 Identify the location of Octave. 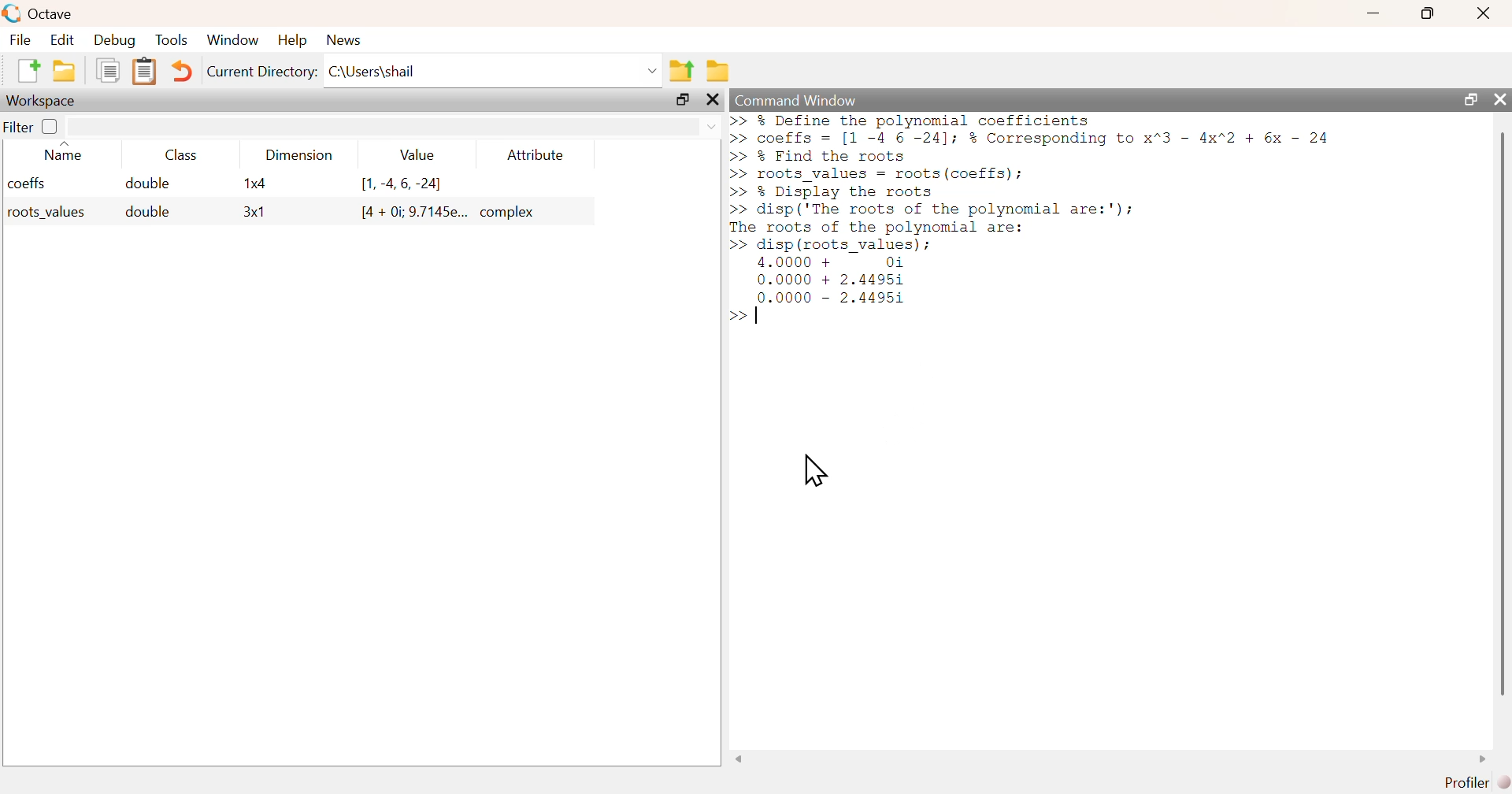
(50, 13).